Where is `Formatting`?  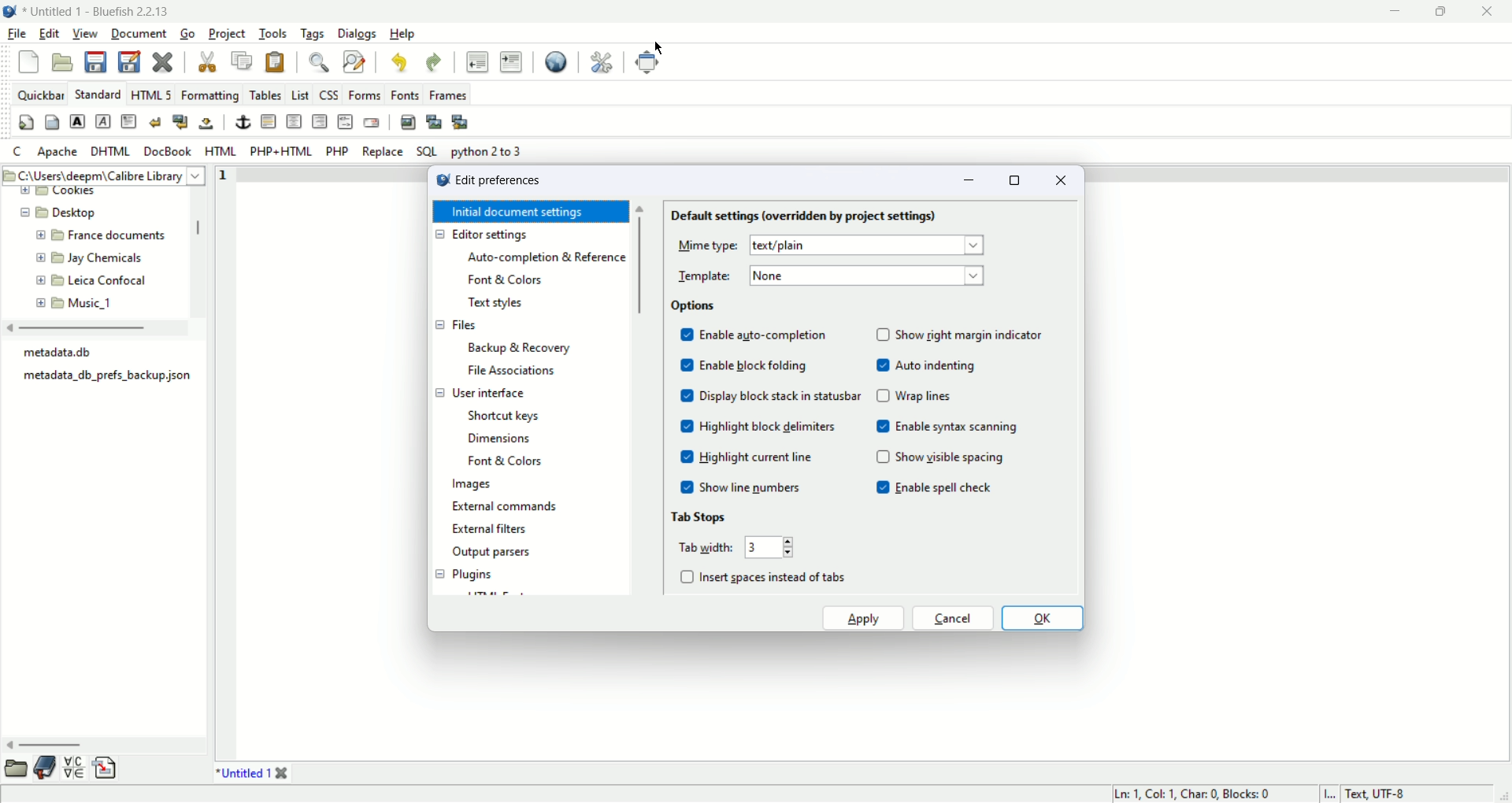 Formatting is located at coordinates (210, 95).